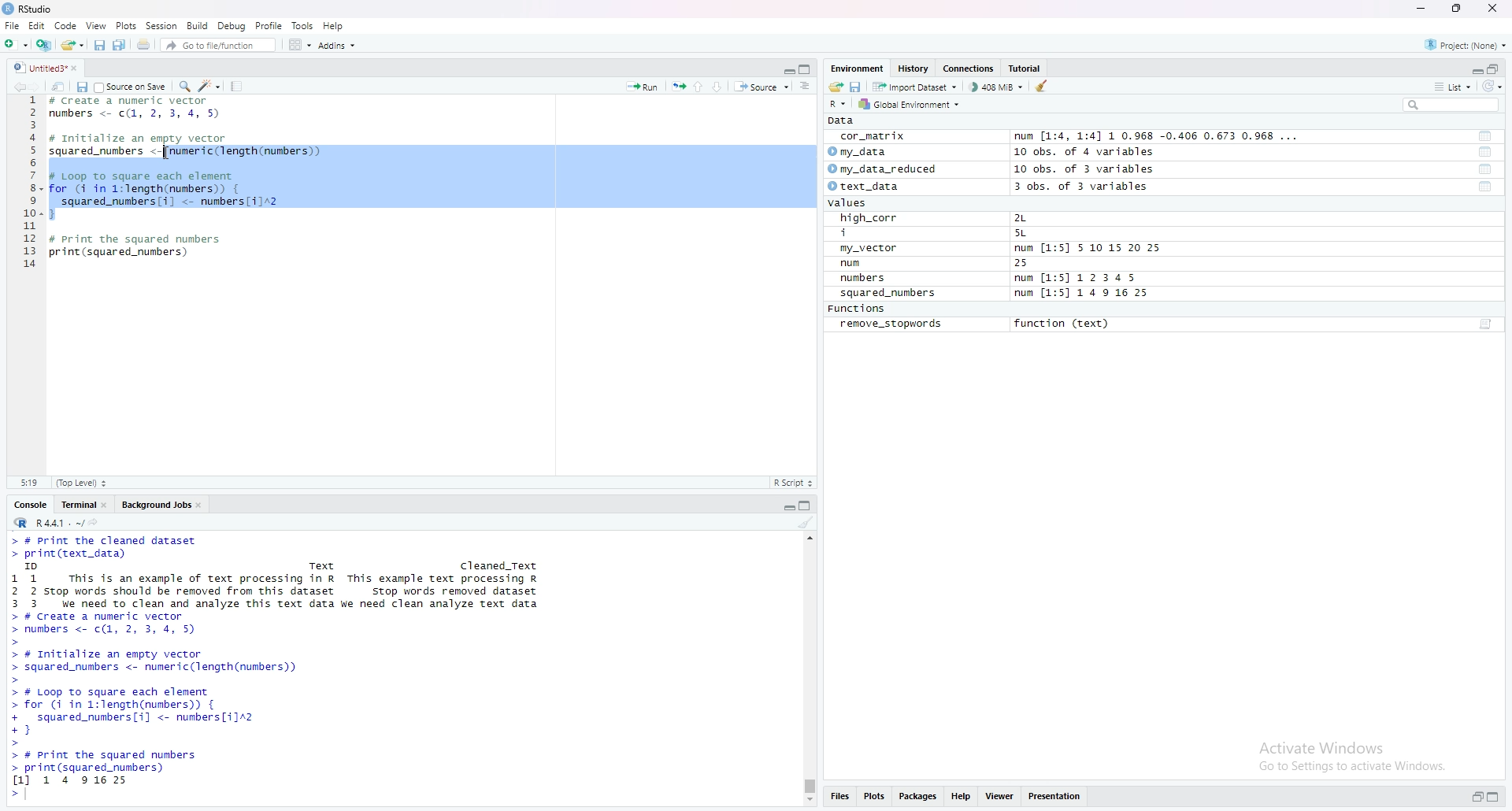 The image size is (1512, 811). I want to click on © my_data_reduced, so click(880, 169).